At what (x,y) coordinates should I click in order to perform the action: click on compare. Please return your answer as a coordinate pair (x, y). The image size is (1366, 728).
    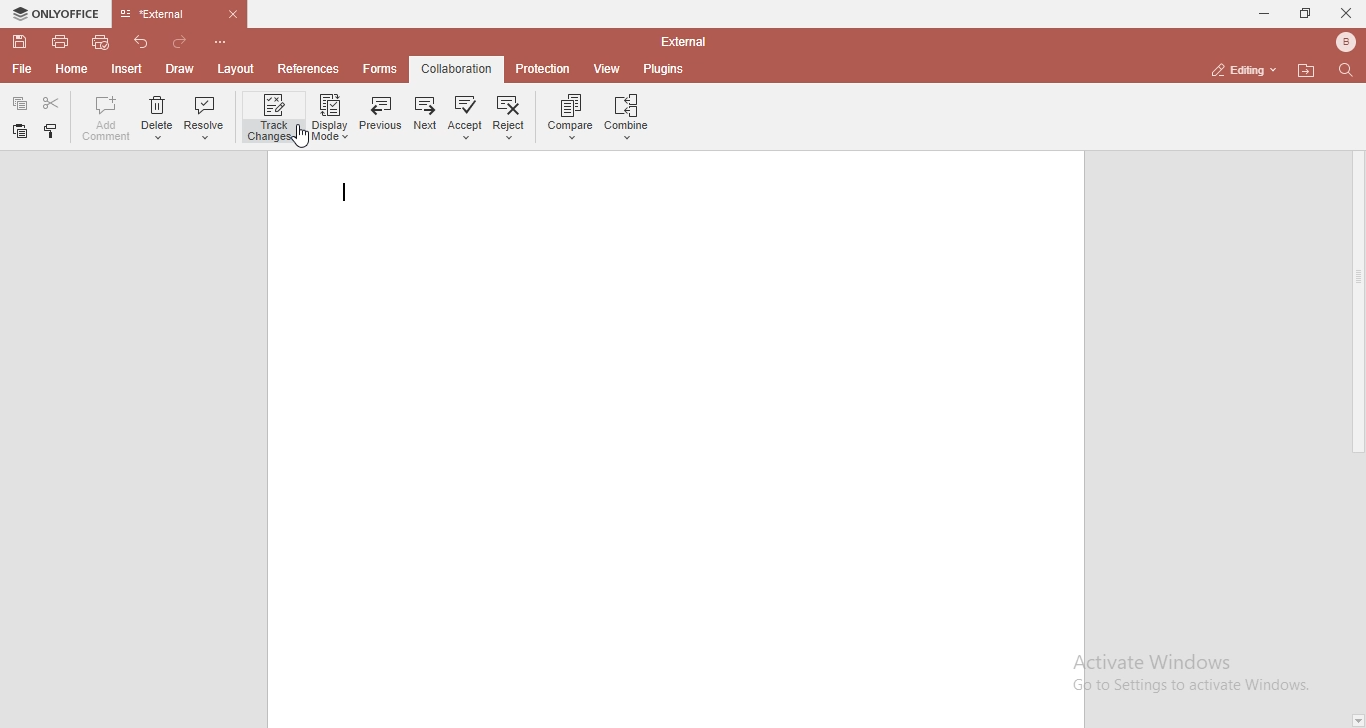
    Looking at the image, I should click on (567, 116).